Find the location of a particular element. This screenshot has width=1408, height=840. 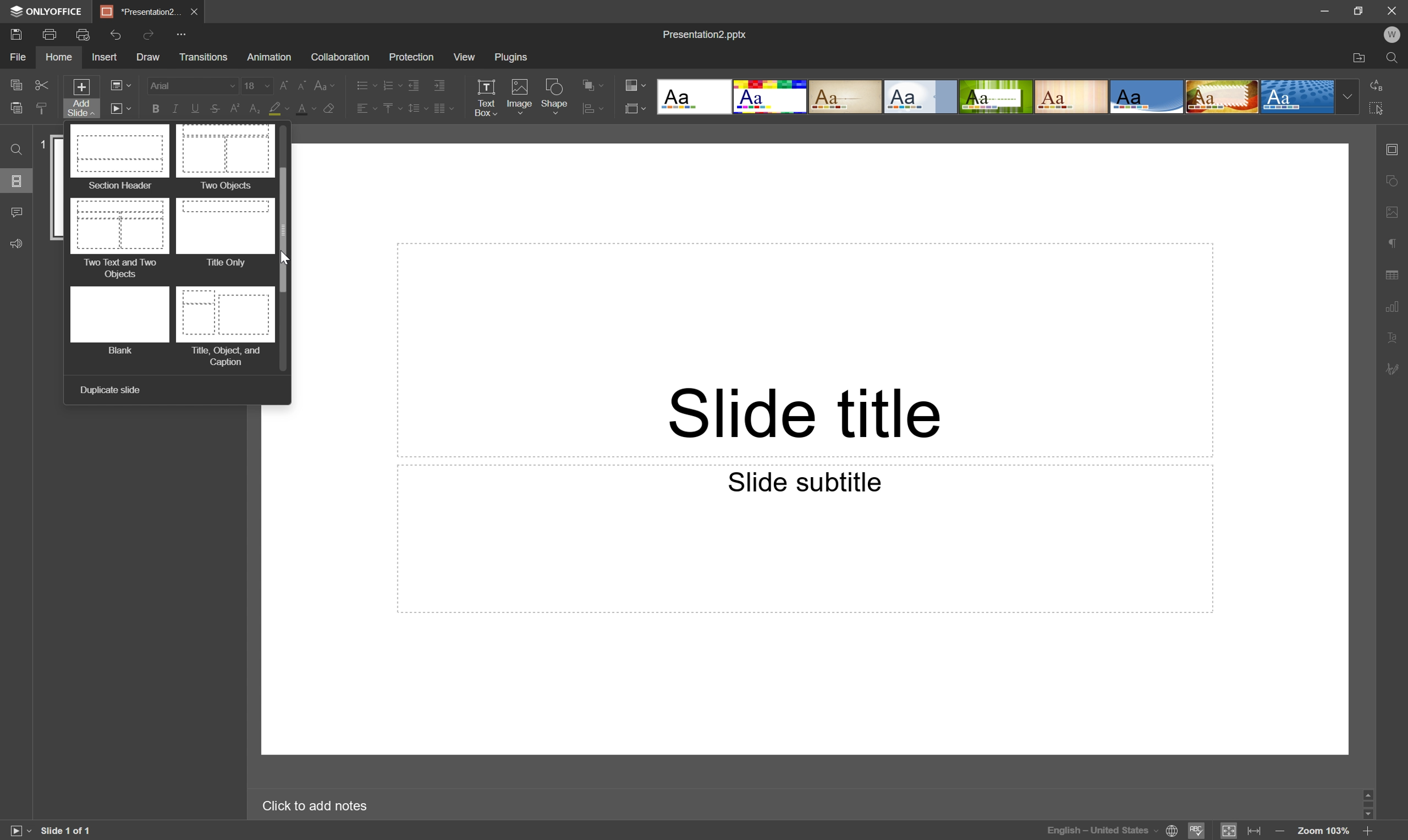

Replace is located at coordinates (1381, 85).